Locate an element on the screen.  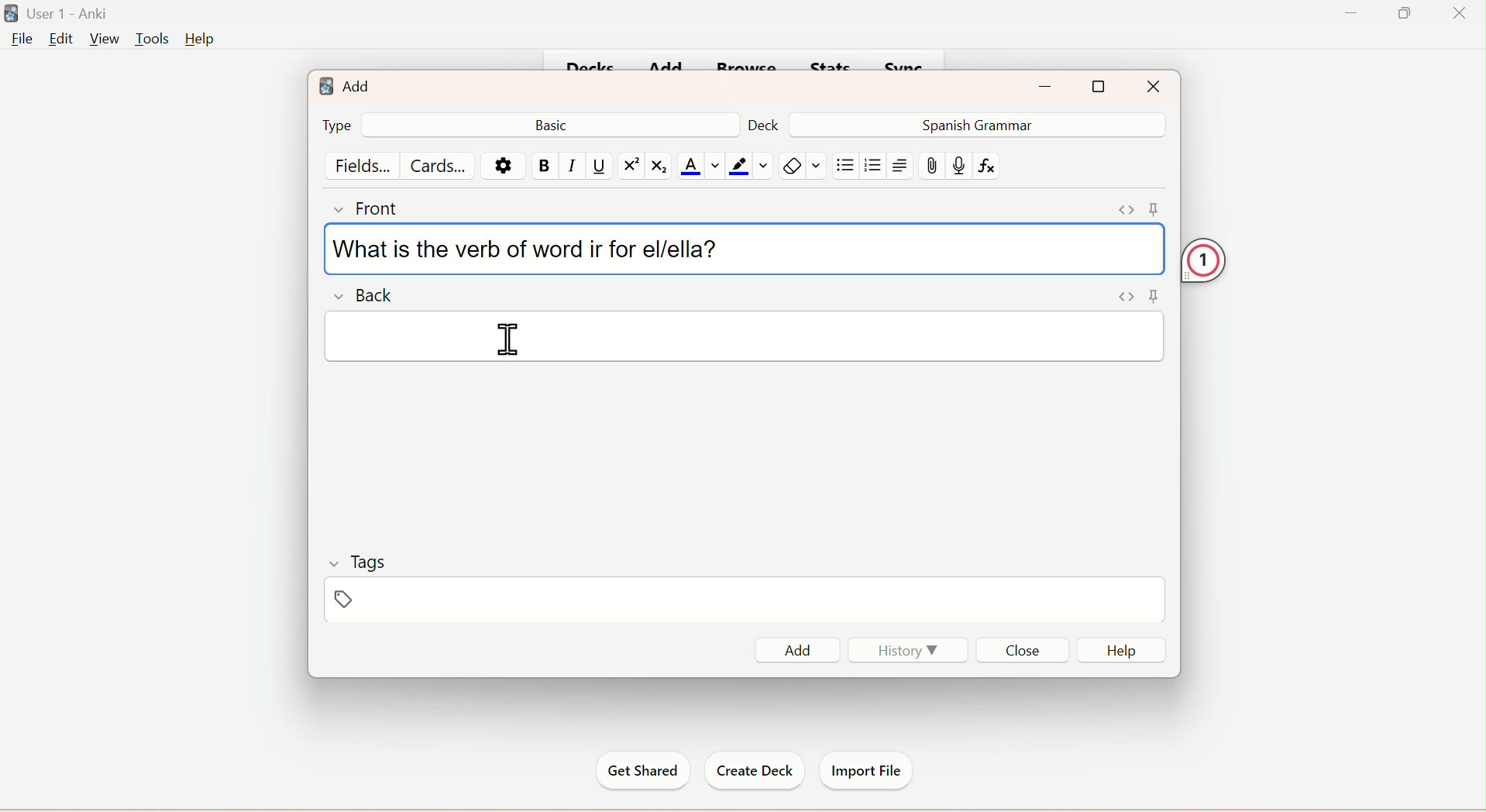
Unorgganised List is located at coordinates (845, 166).